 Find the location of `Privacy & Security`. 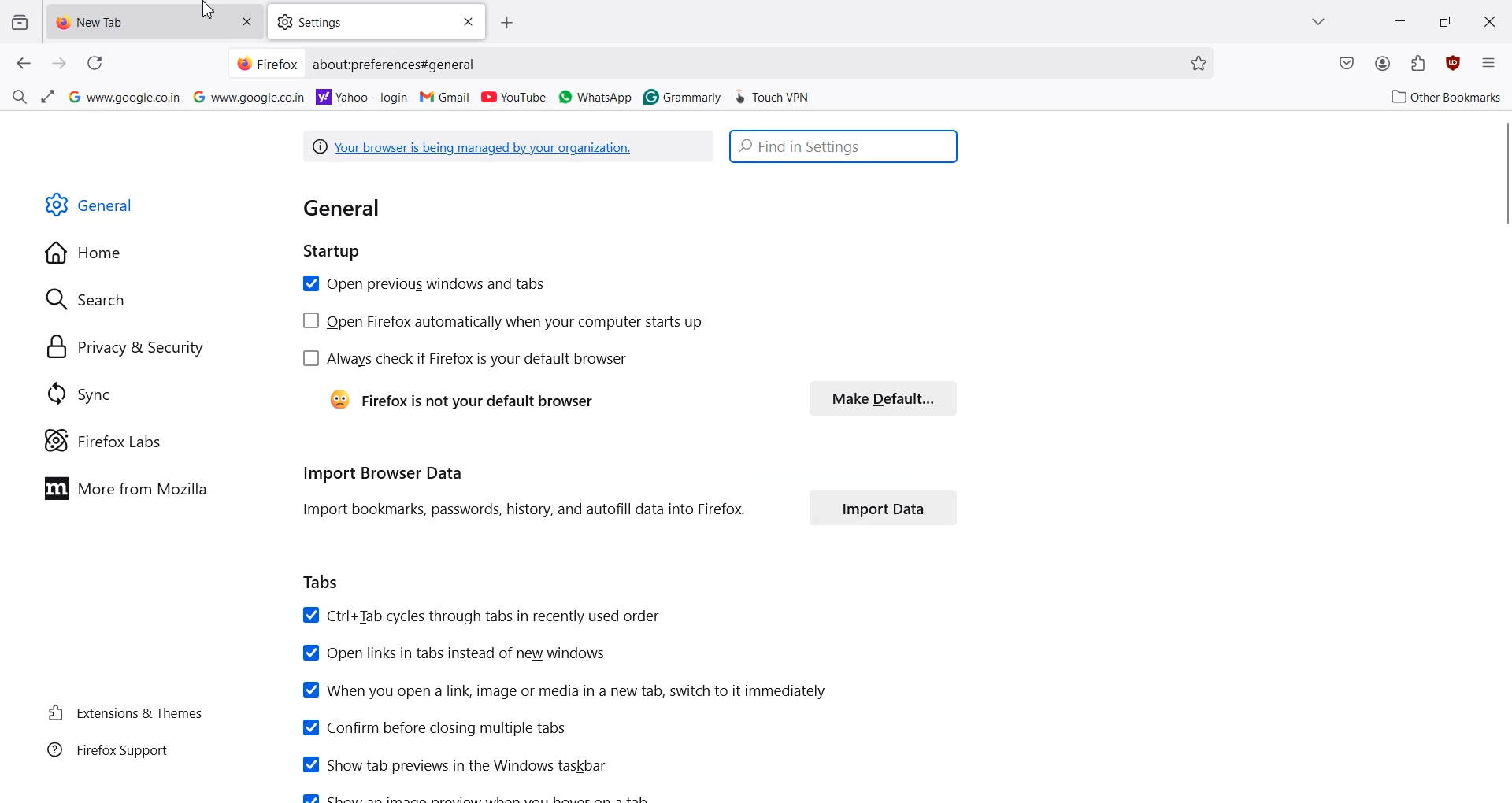

Privacy & Security is located at coordinates (127, 347).